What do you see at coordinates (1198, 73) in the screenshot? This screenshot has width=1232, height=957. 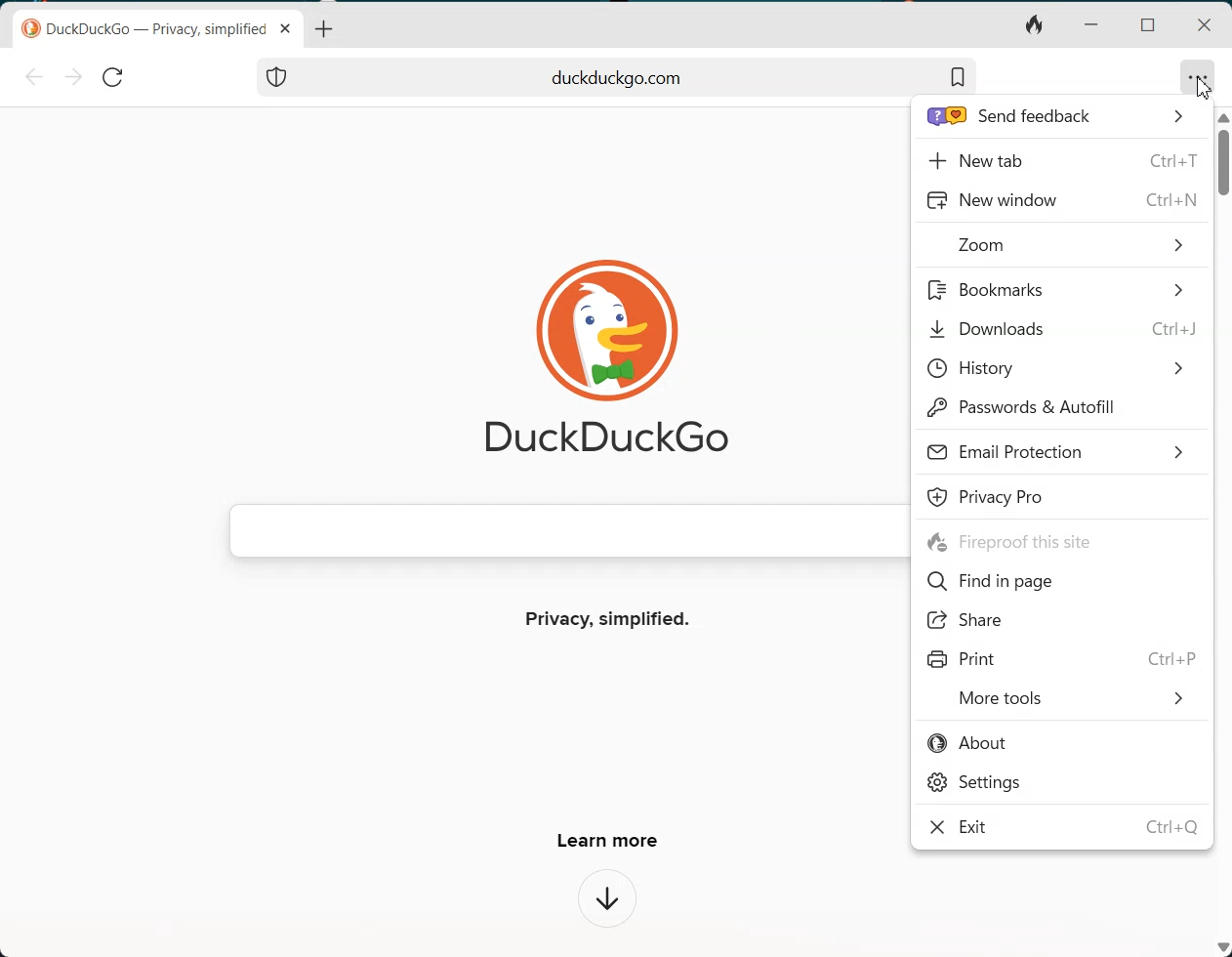 I see `meatball tool` at bounding box center [1198, 73].